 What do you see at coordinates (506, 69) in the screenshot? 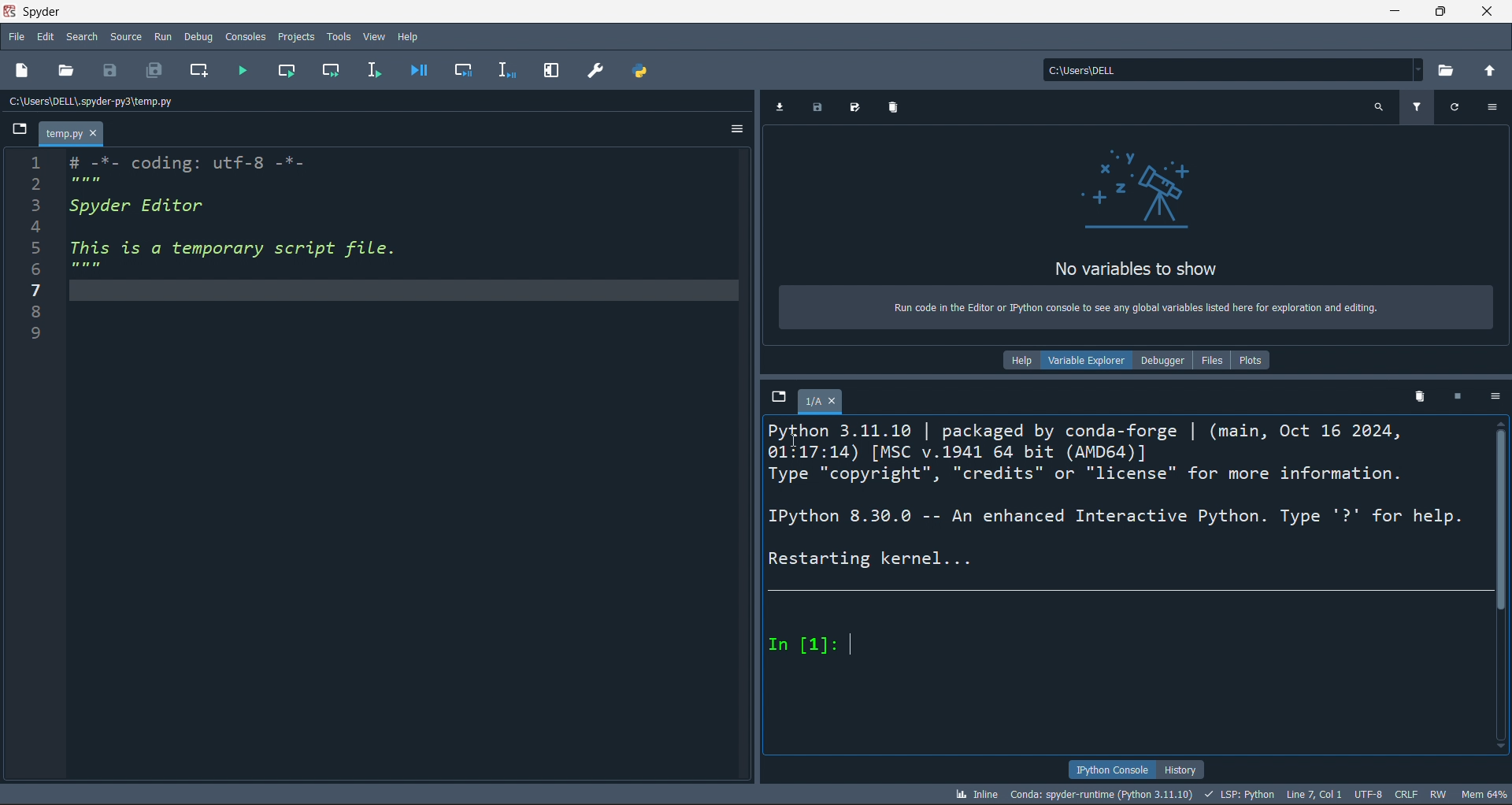
I see `debug line` at bounding box center [506, 69].